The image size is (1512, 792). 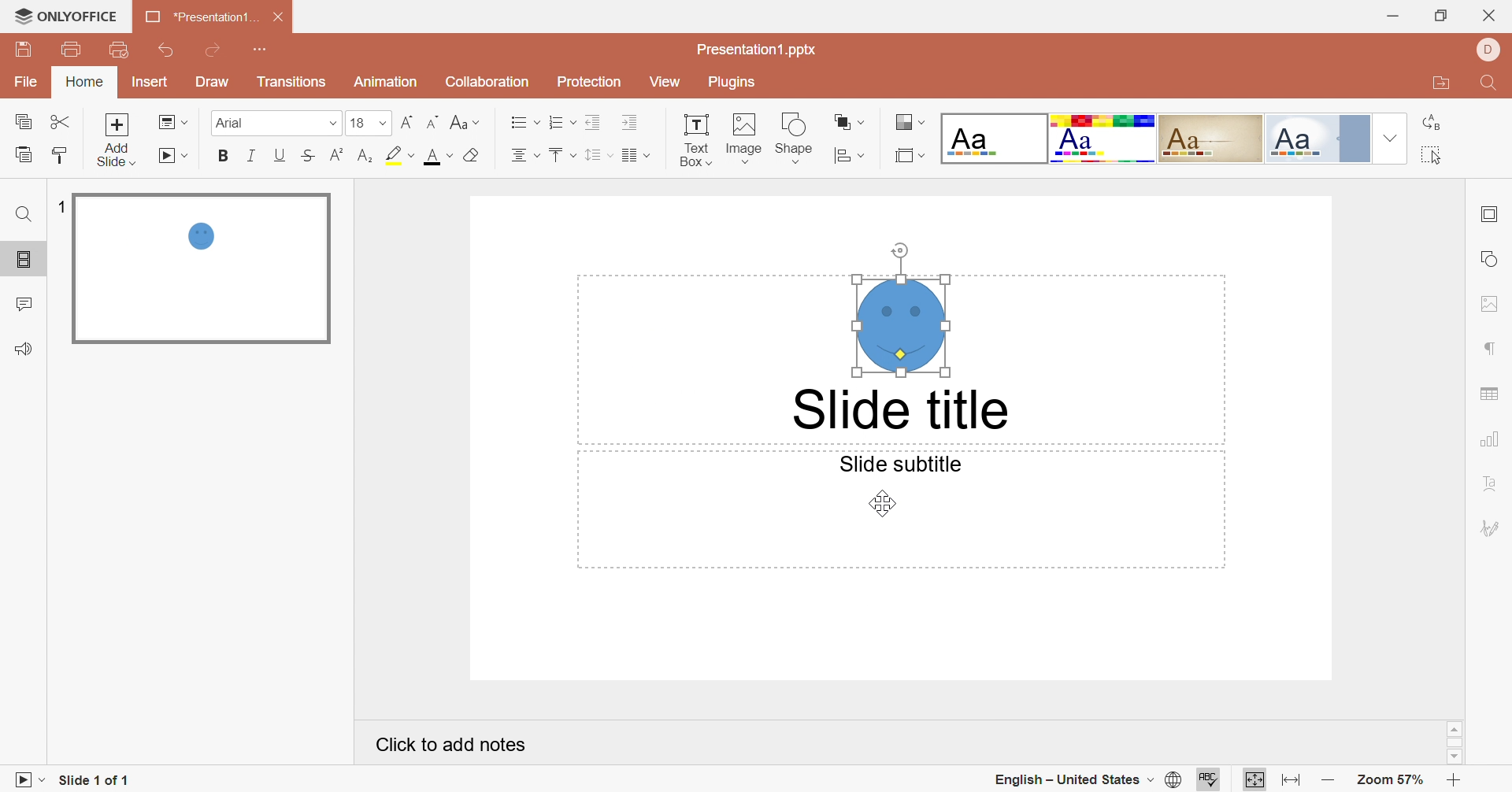 What do you see at coordinates (525, 155) in the screenshot?
I see `Align center` at bounding box center [525, 155].